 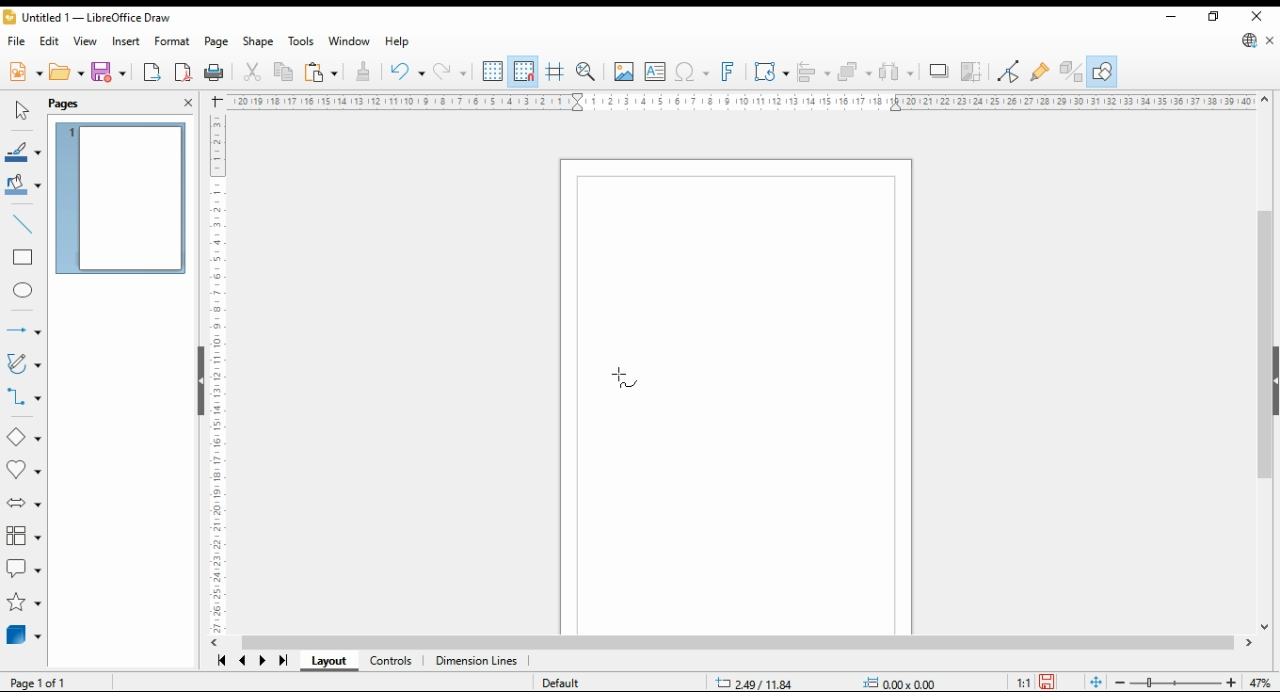 I want to click on paste, so click(x=323, y=71).